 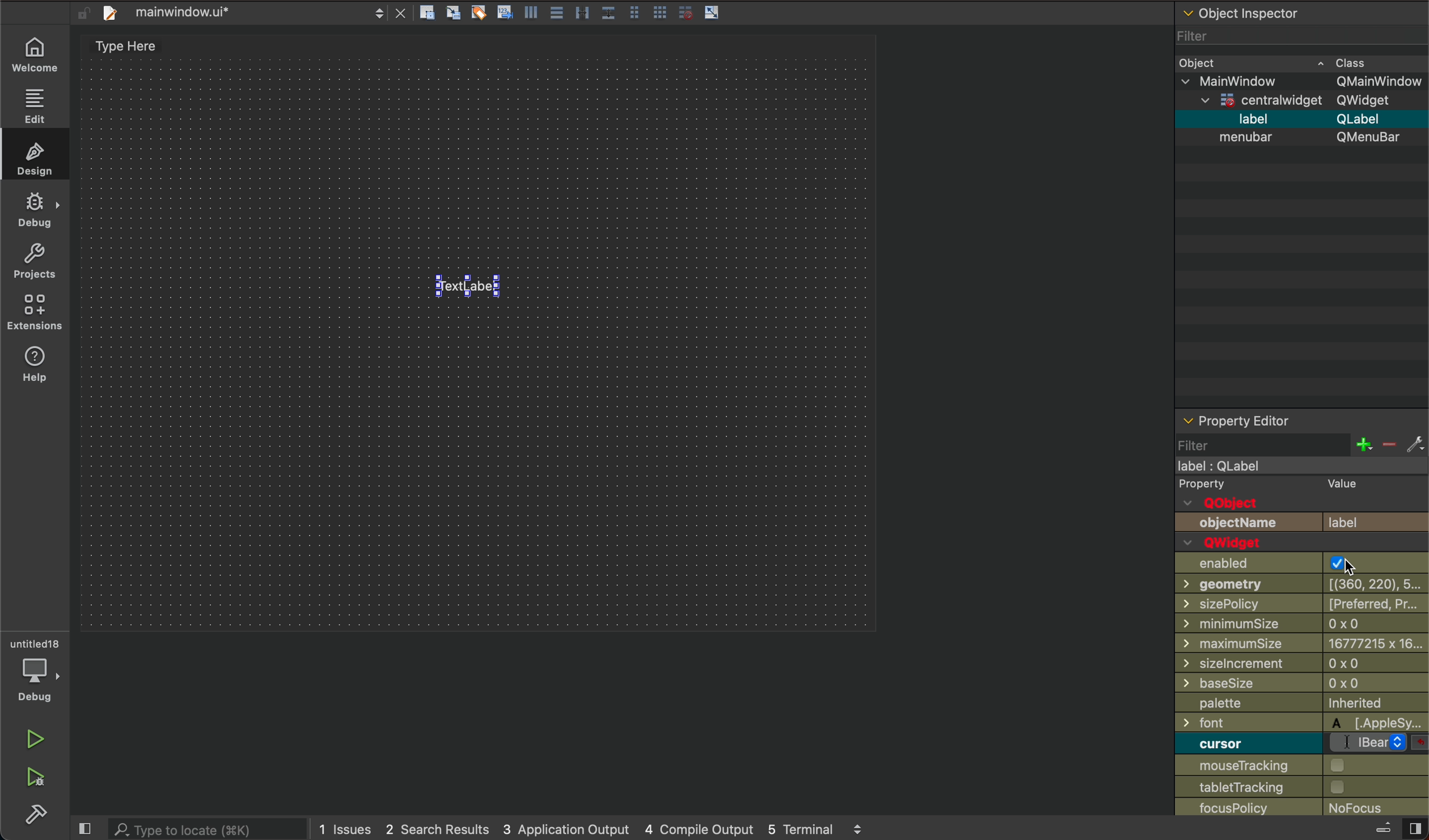 I want to click on cursor, so click(x=1345, y=568).